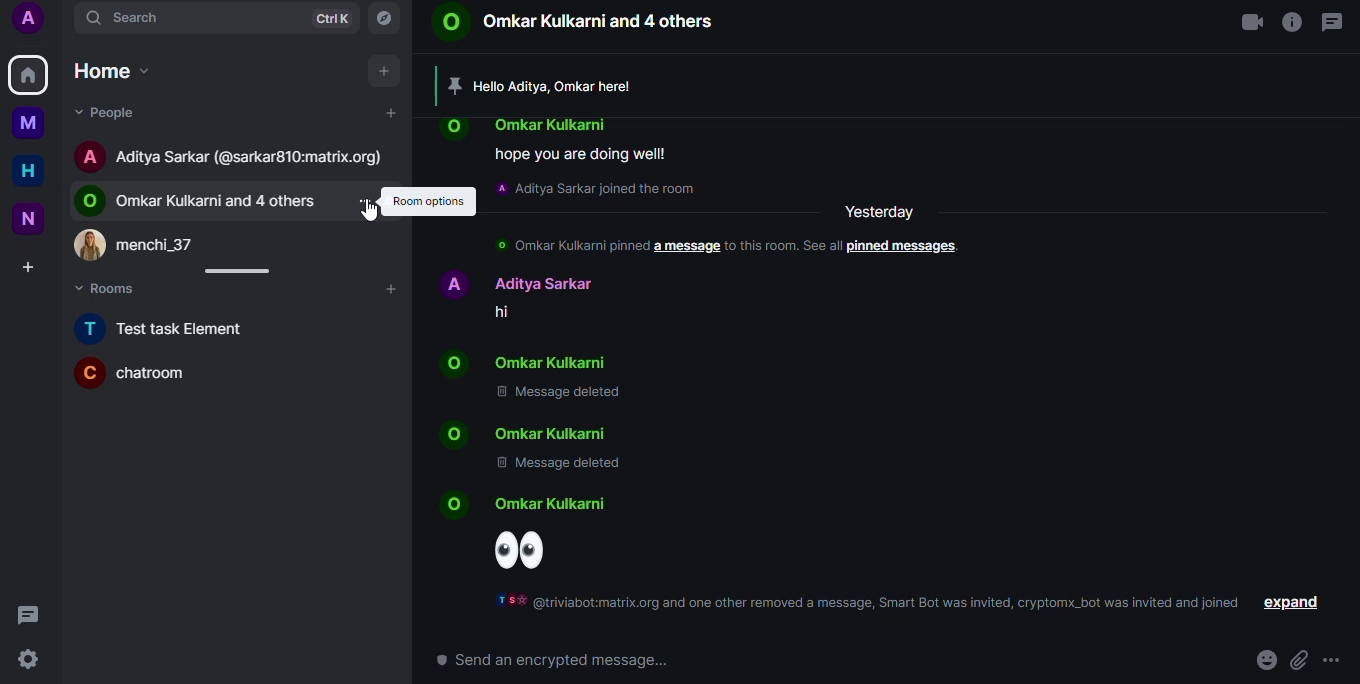 This screenshot has width=1360, height=684. I want to click on add rooms, so click(395, 290).